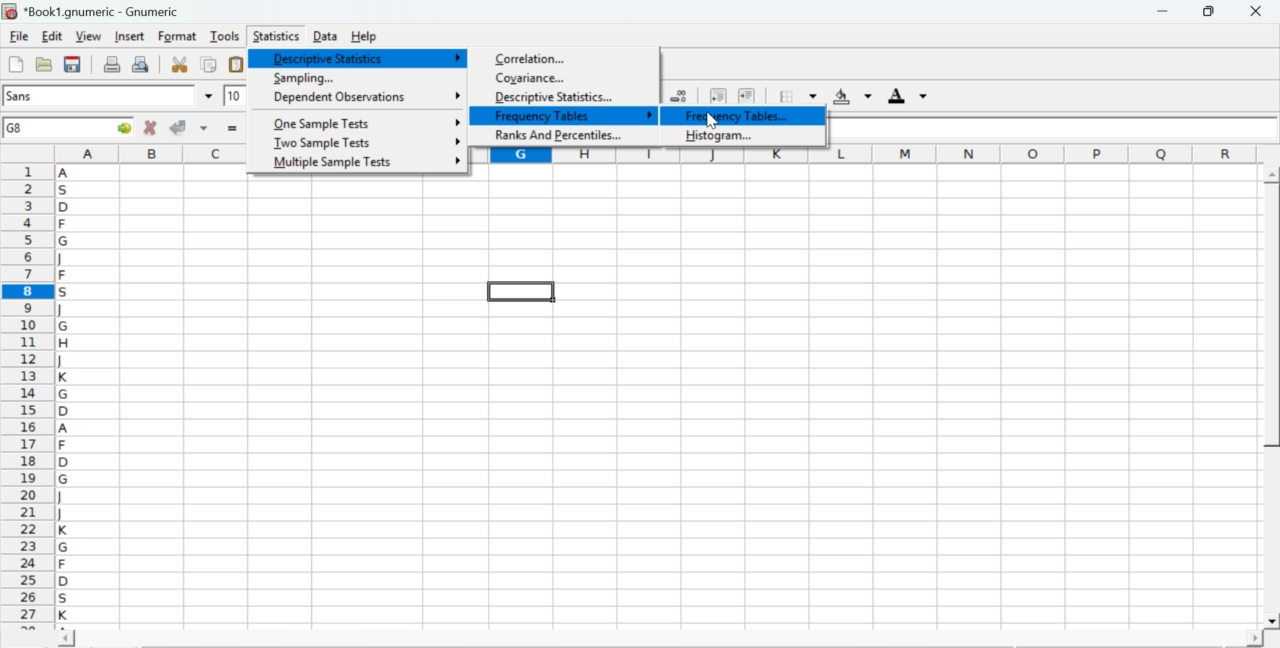 Image resolution: width=1280 pixels, height=648 pixels. What do you see at coordinates (238, 65) in the screenshot?
I see `paste` at bounding box center [238, 65].